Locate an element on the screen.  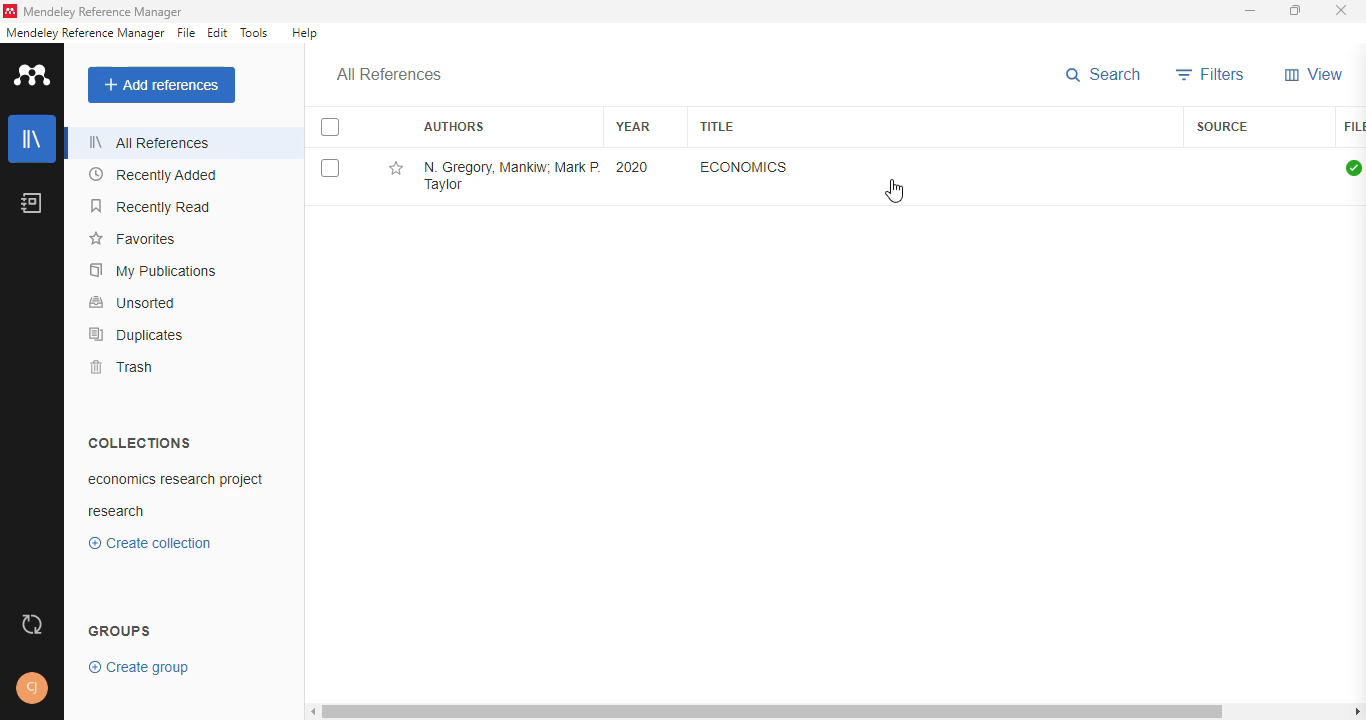
mendeley reference manager is located at coordinates (106, 12).